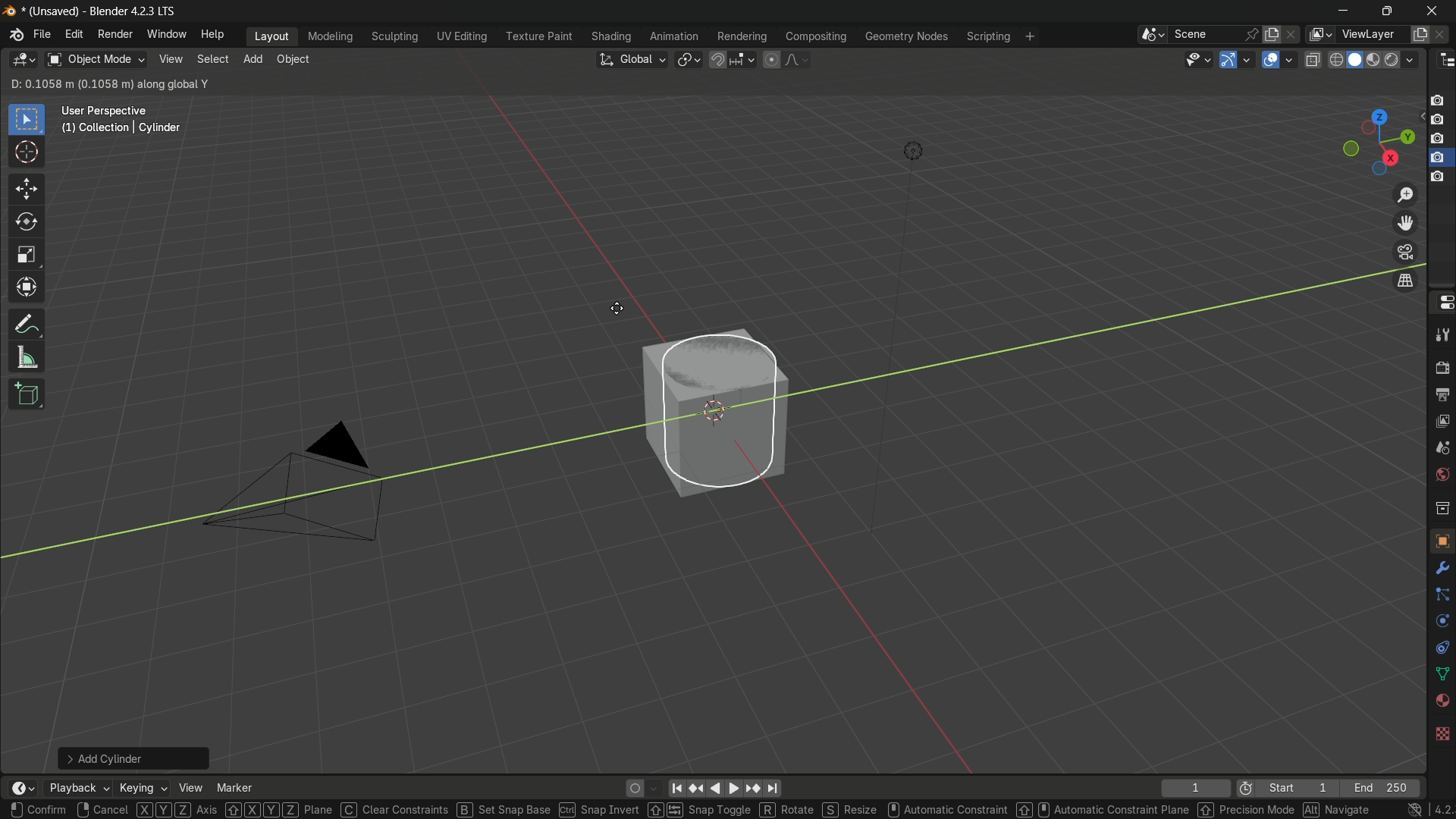  I want to click on preset viewpoint, so click(1378, 143).